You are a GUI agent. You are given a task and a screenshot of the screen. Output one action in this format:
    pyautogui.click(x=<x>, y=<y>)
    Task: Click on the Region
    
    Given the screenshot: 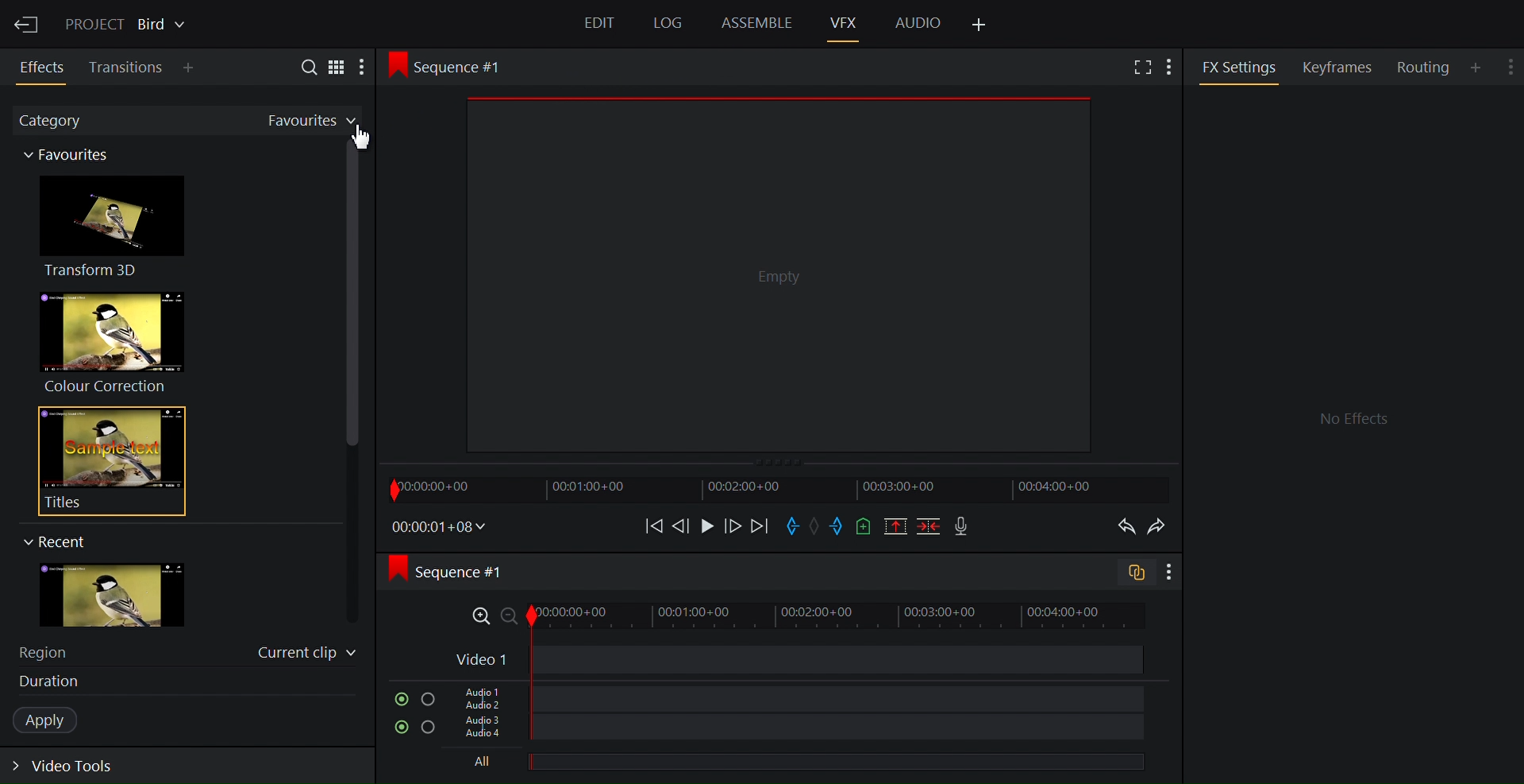 What is the action you would take?
    pyautogui.click(x=52, y=651)
    